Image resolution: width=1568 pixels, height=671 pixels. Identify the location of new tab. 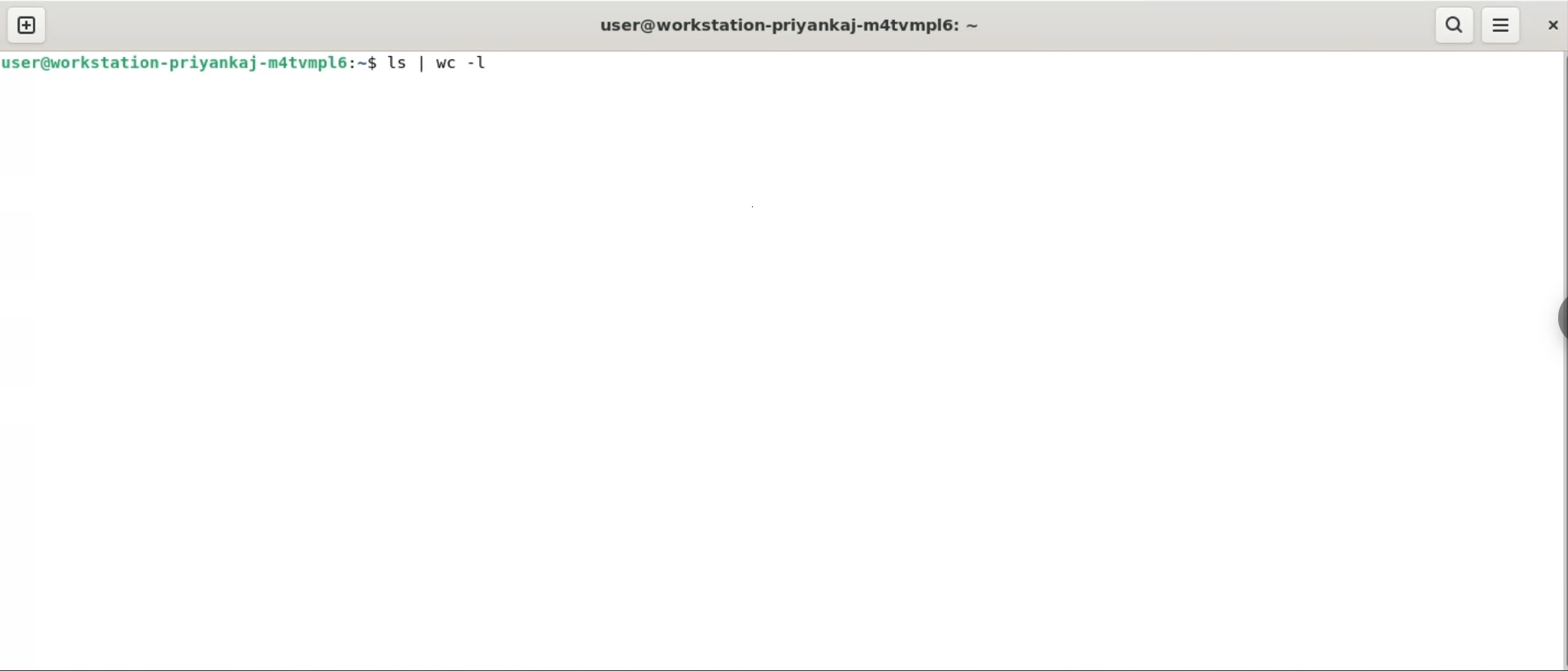
(26, 25).